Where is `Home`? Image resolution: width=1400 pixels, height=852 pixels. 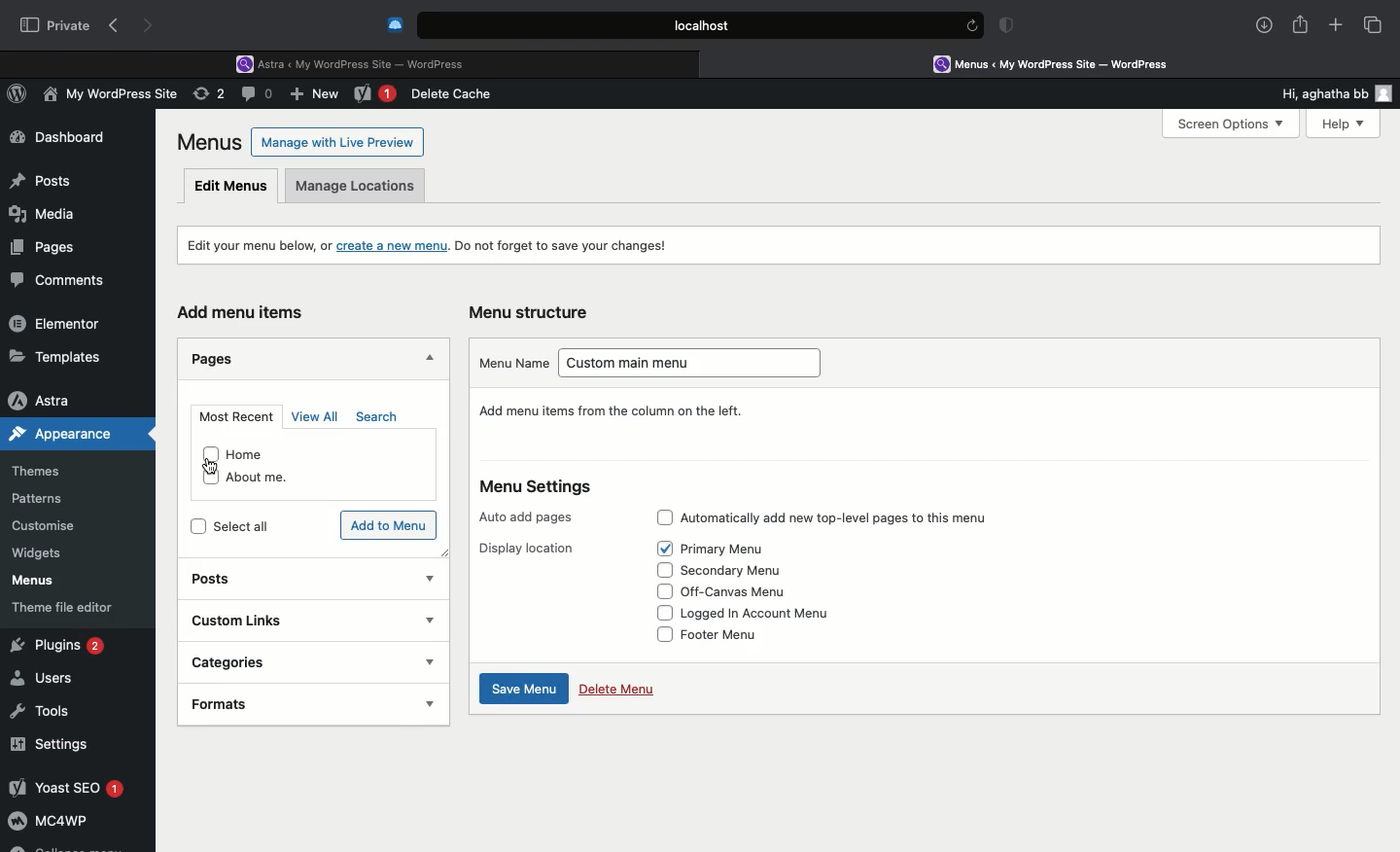
Home is located at coordinates (260, 454).